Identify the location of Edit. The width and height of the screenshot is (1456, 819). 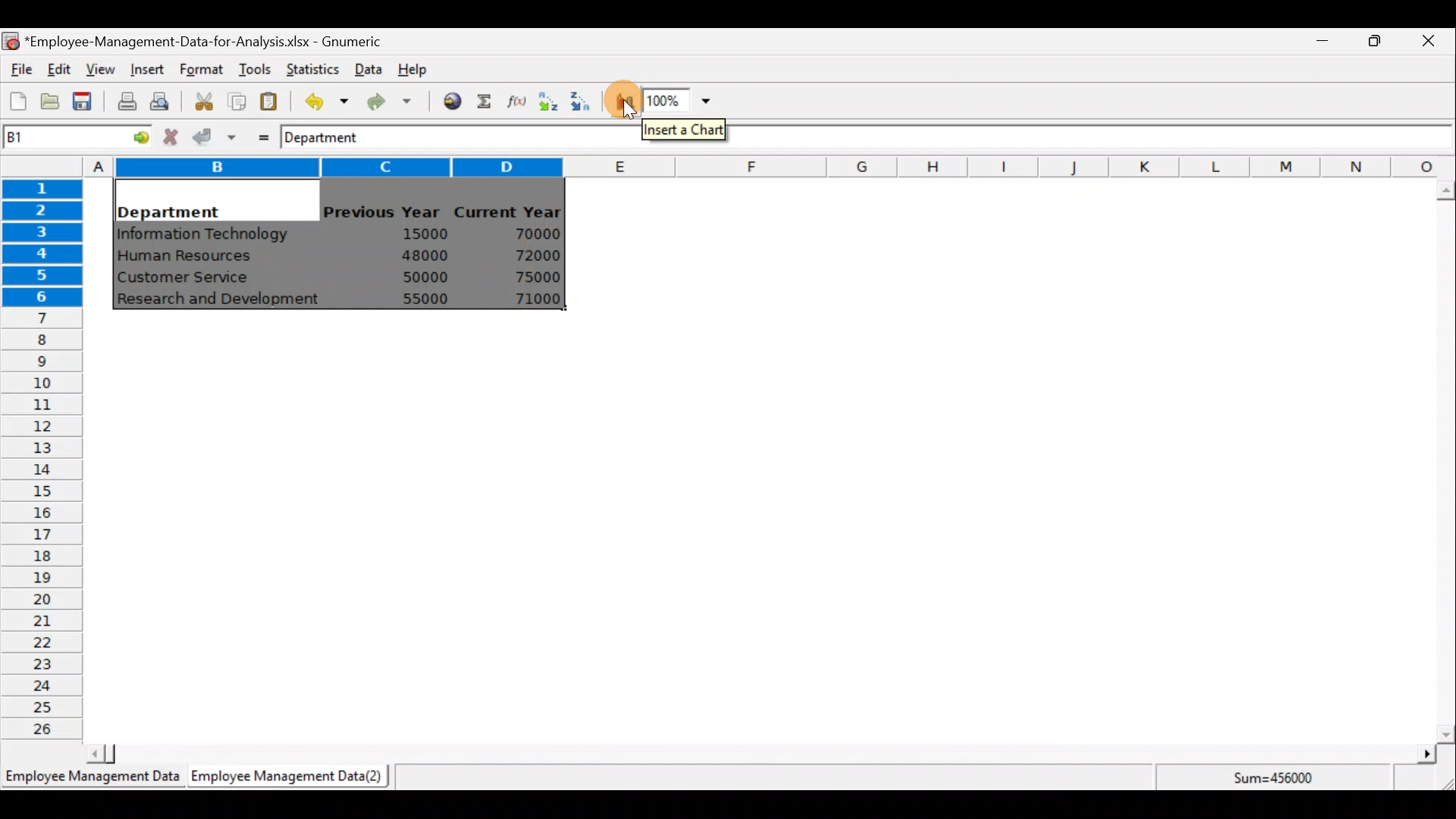
(60, 71).